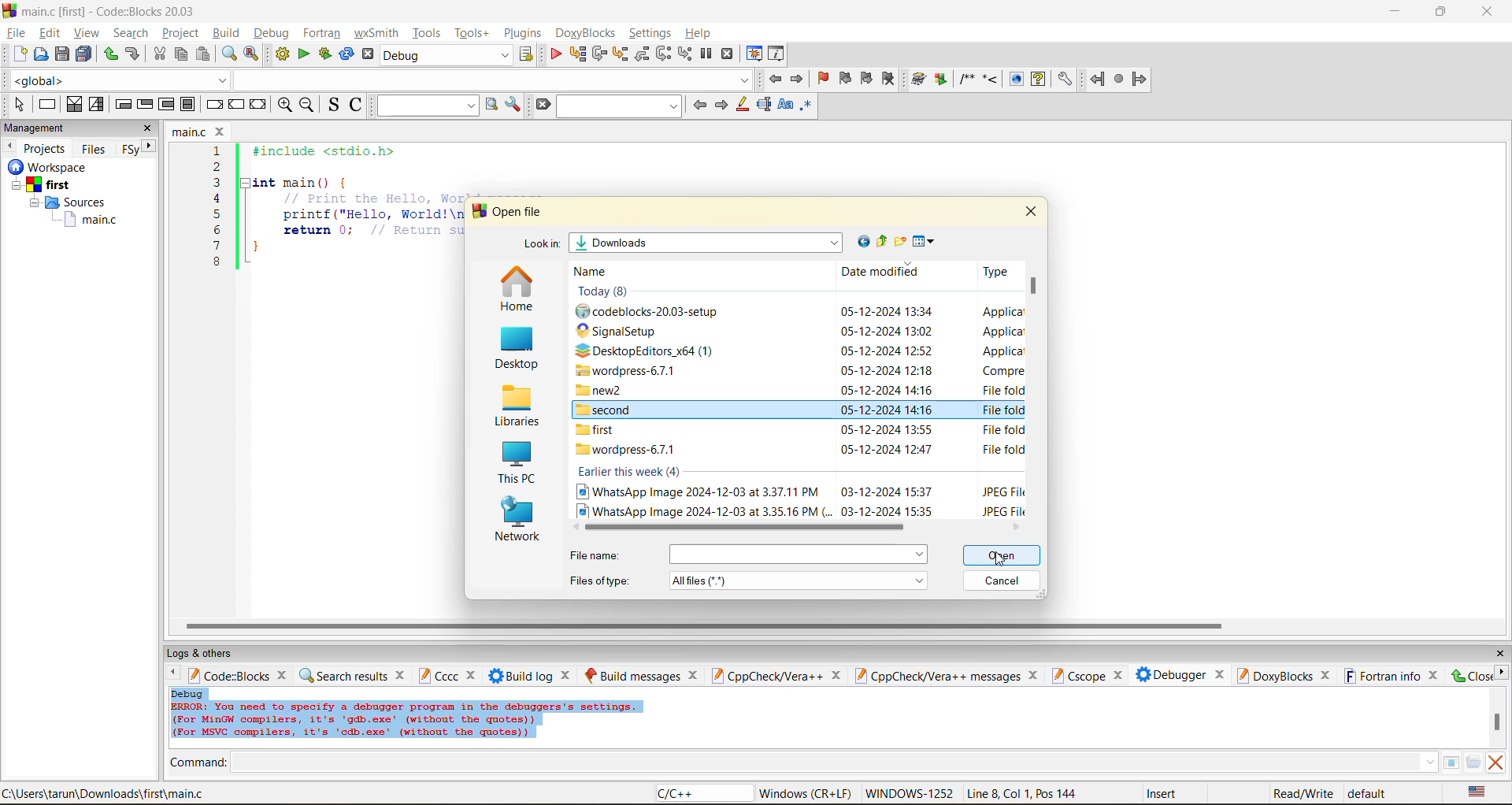  I want to click on various info, so click(777, 54).